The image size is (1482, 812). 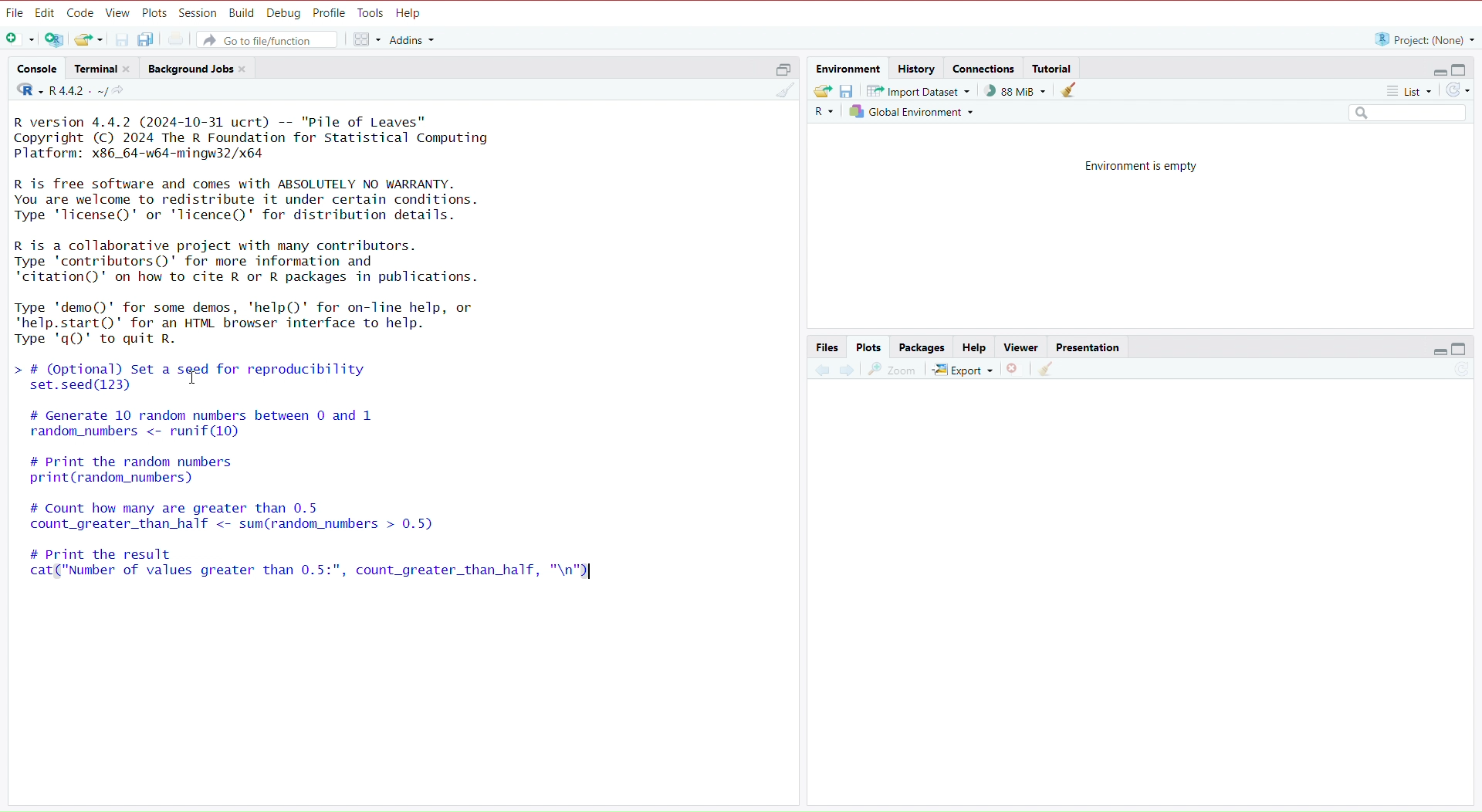 What do you see at coordinates (36, 67) in the screenshot?
I see `‘Console` at bounding box center [36, 67].